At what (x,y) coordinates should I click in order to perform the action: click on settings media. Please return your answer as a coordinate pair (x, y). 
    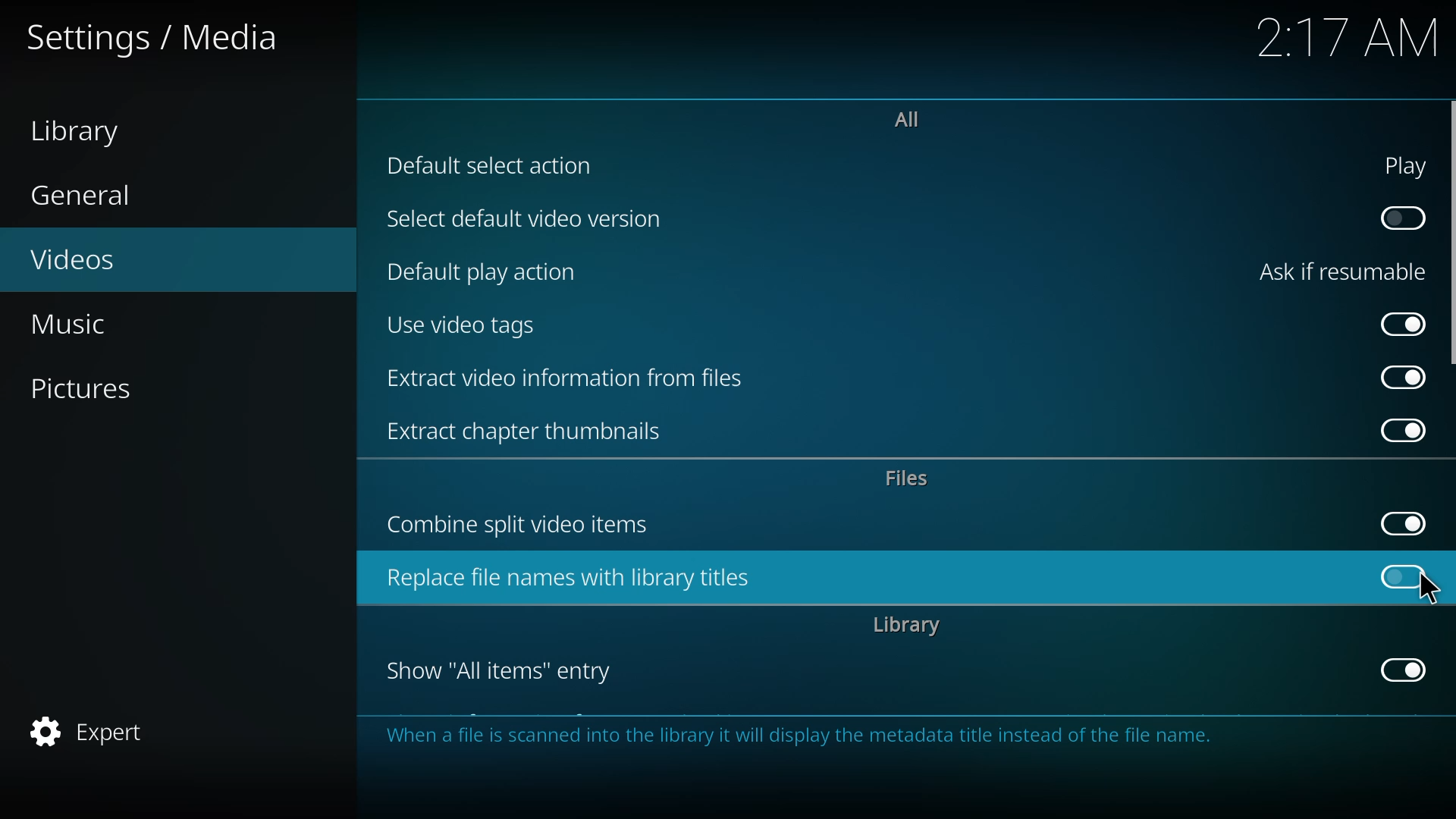
    Looking at the image, I should click on (162, 39).